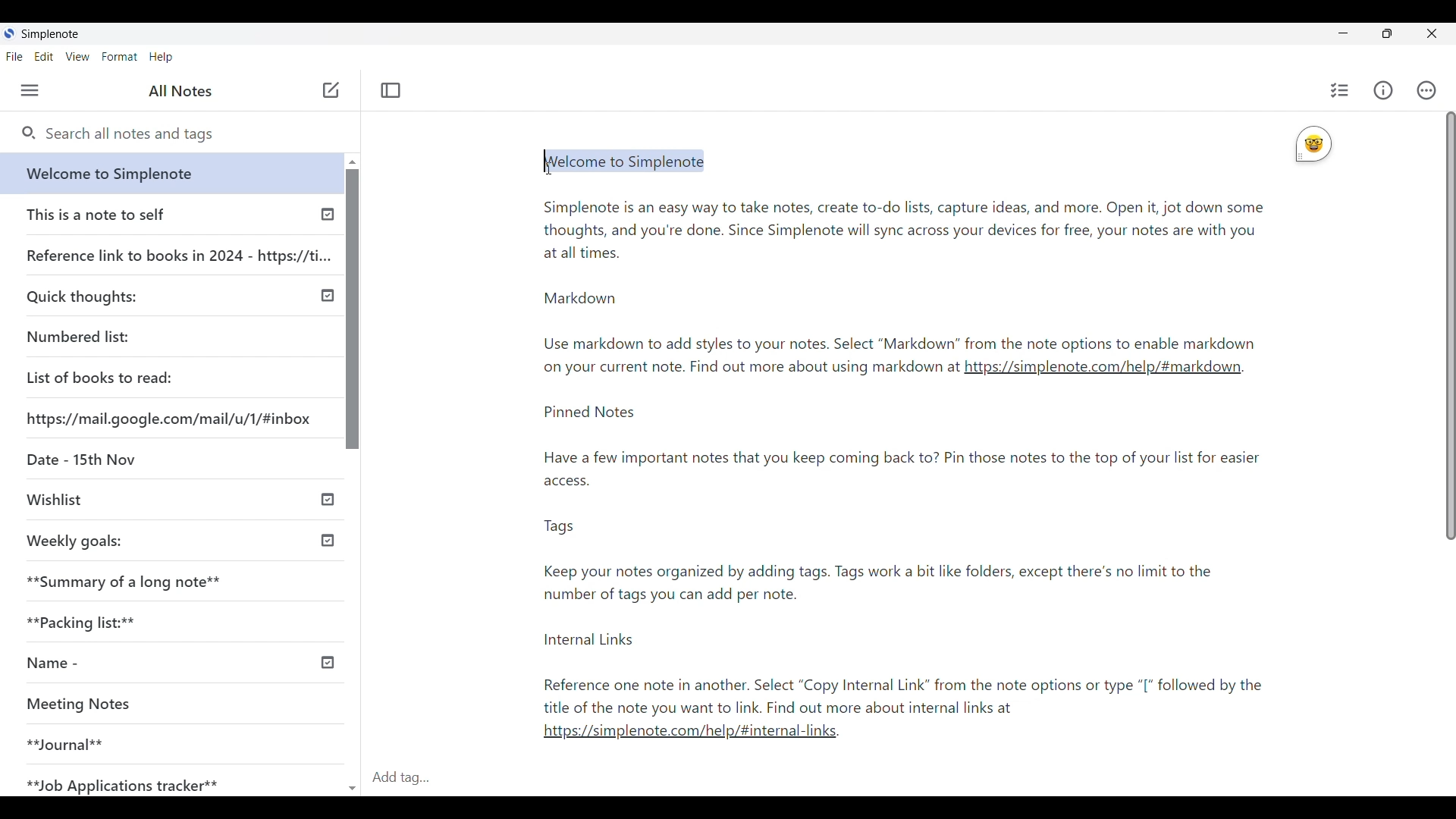 Image resolution: width=1456 pixels, height=819 pixels. Describe the element at coordinates (1427, 90) in the screenshot. I see `Actions` at that location.